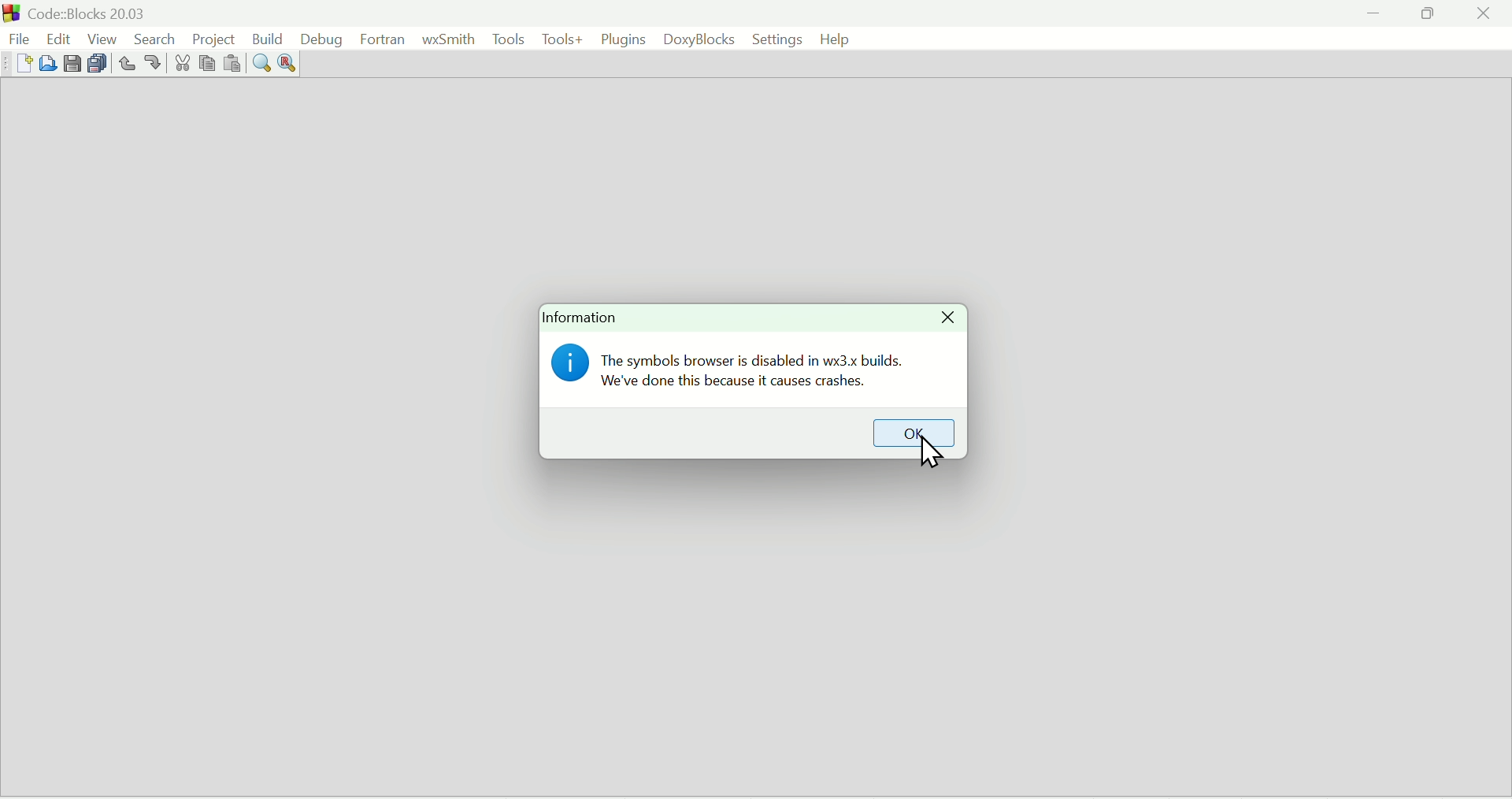 Image resolution: width=1512 pixels, height=799 pixels. What do you see at coordinates (230, 65) in the screenshot?
I see `Paste` at bounding box center [230, 65].